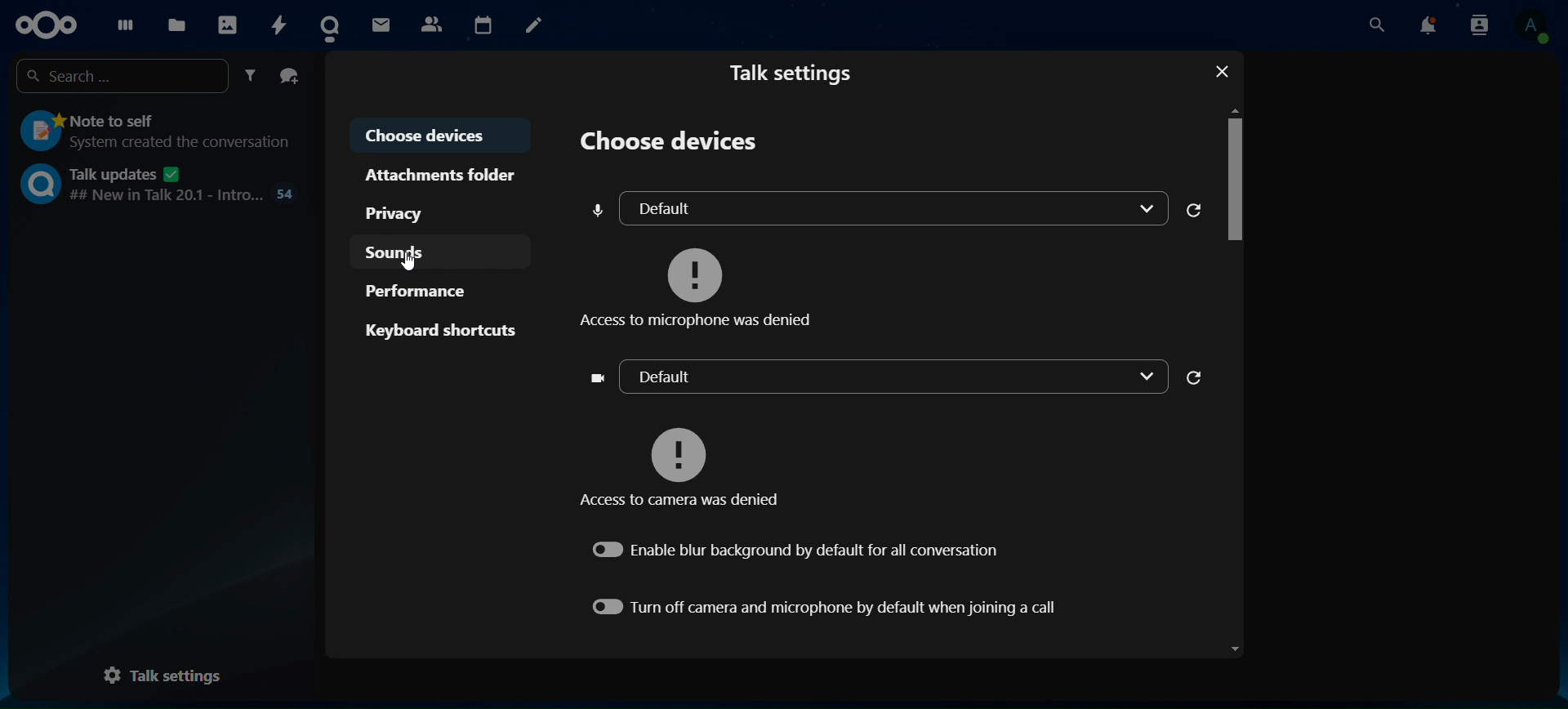 The image size is (1568, 709). What do you see at coordinates (534, 25) in the screenshot?
I see `notes` at bounding box center [534, 25].